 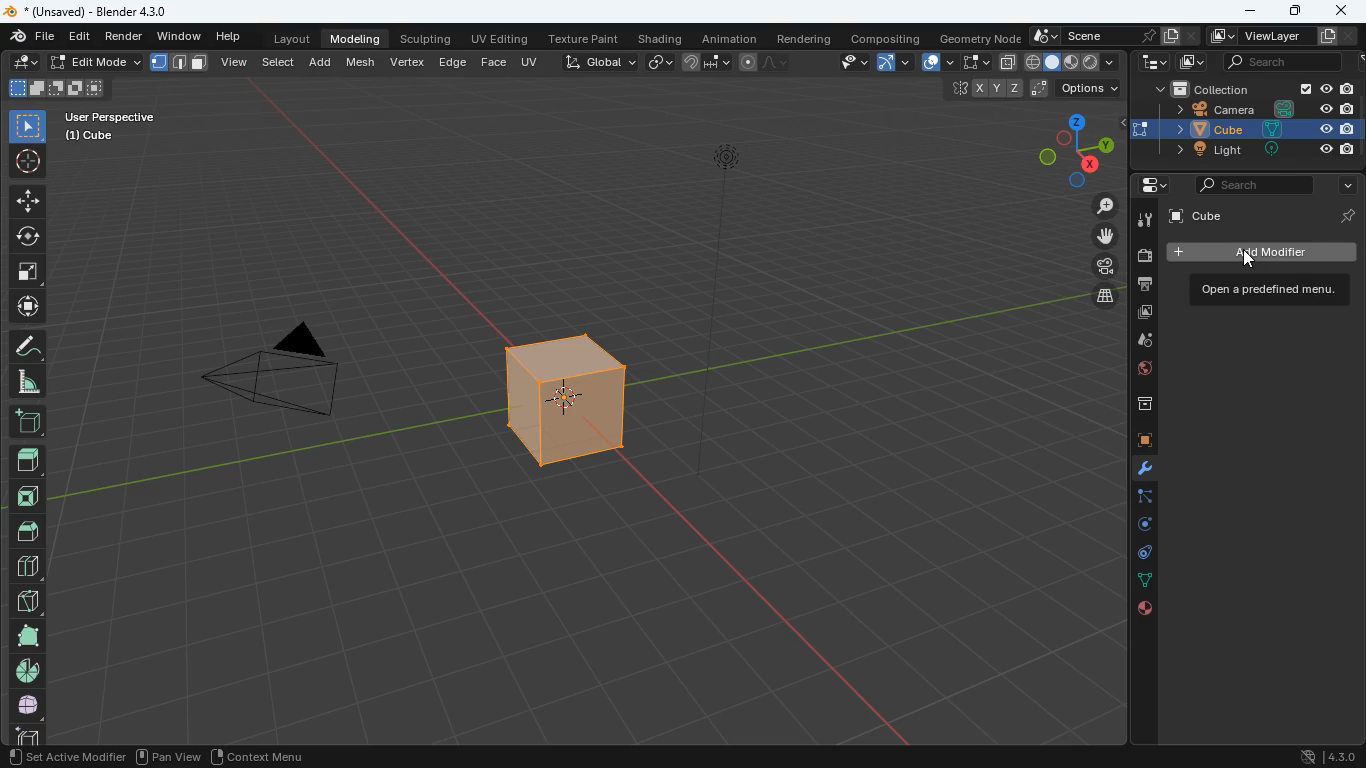 What do you see at coordinates (41, 758) in the screenshot?
I see `pan view` at bounding box center [41, 758].